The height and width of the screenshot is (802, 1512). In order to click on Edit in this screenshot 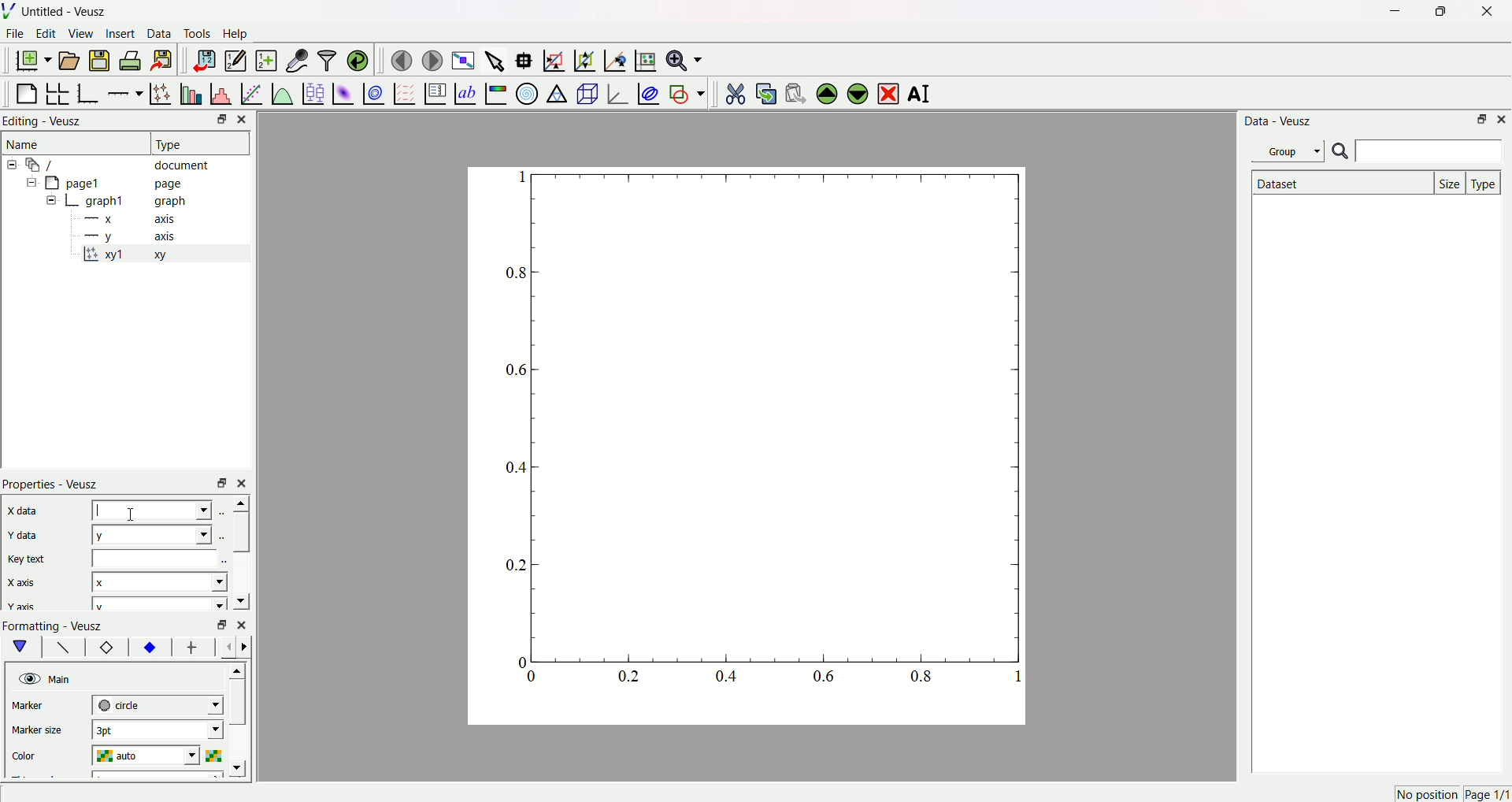, I will do `click(46, 35)`.